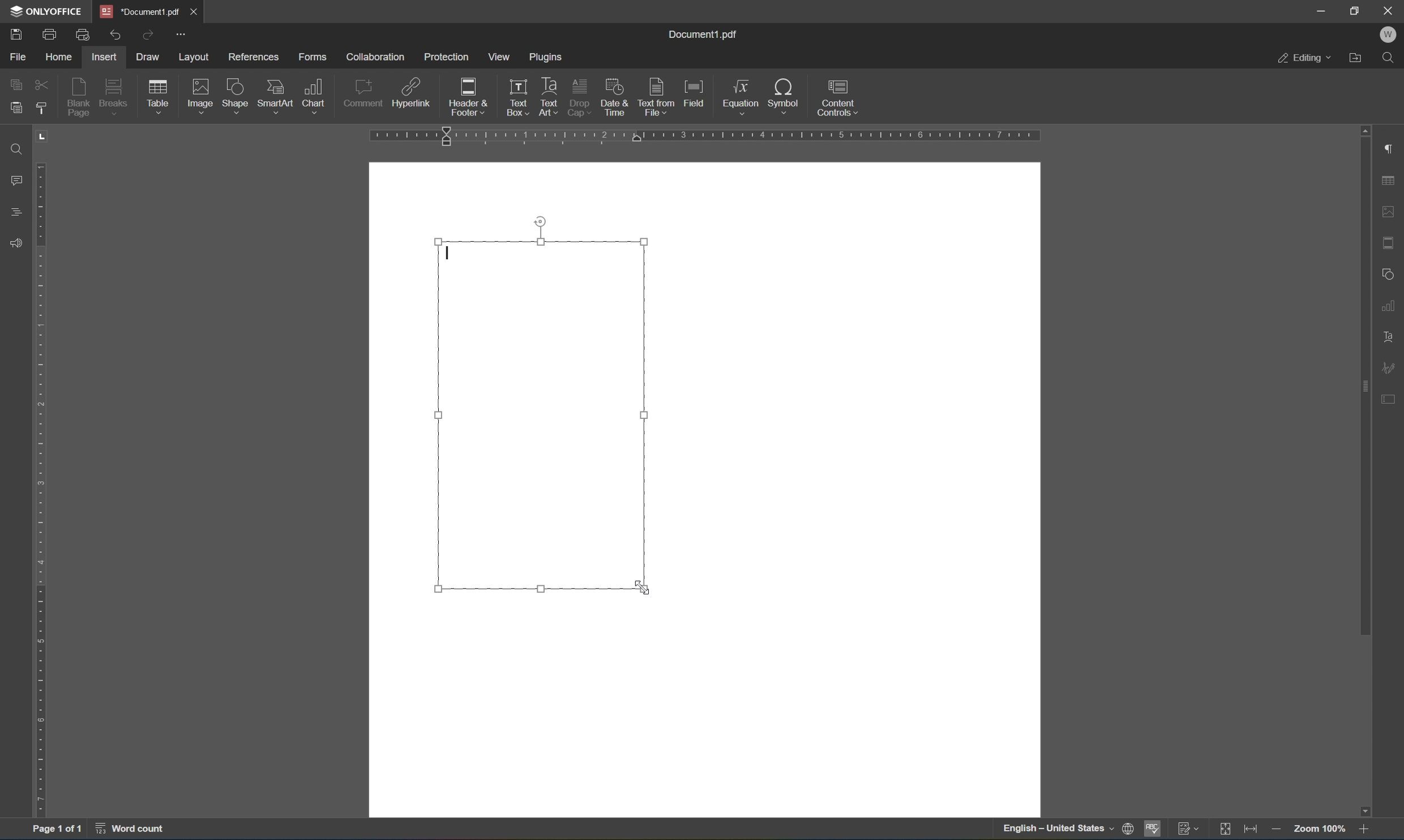 This screenshot has width=1404, height=840. Describe the element at coordinates (1355, 11) in the screenshot. I see `Restore down` at that location.